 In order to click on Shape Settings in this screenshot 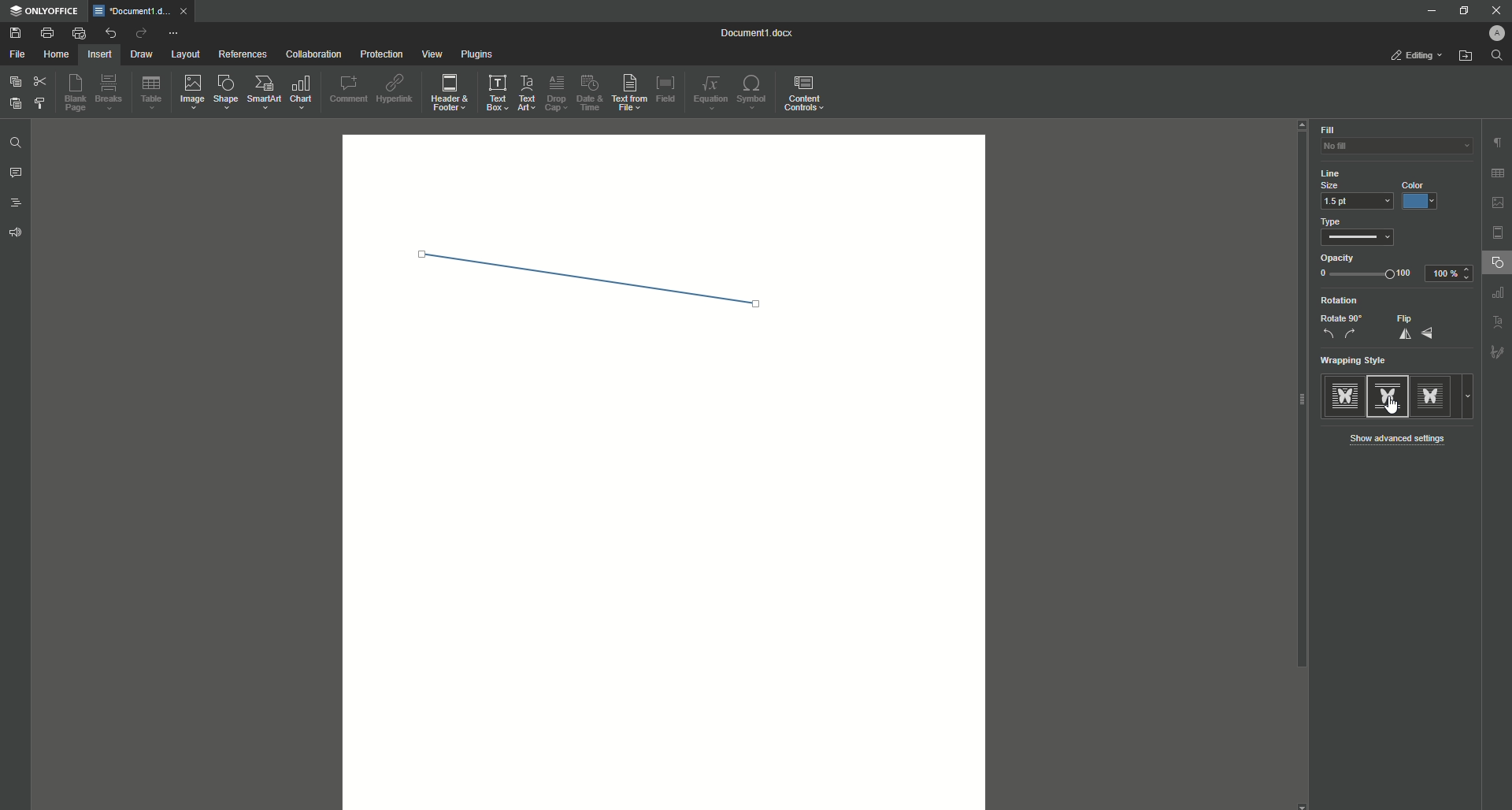, I will do `click(1496, 265)`.